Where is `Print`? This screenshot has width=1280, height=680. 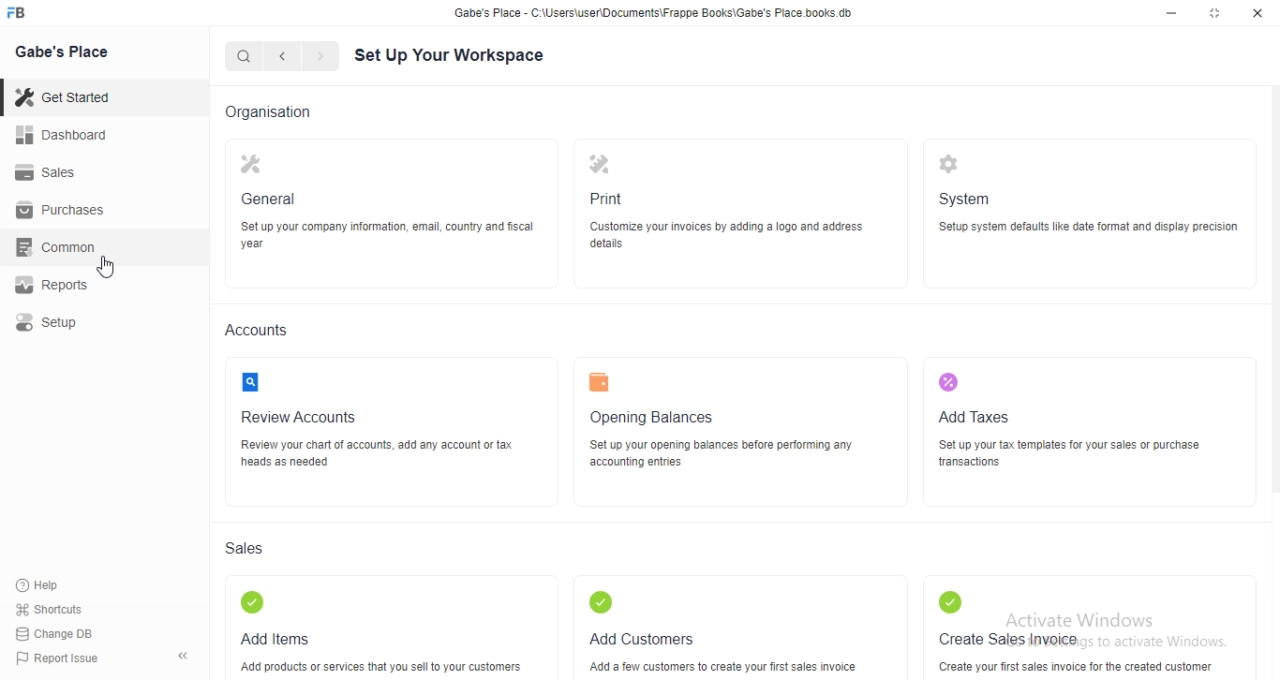 Print is located at coordinates (602, 198).